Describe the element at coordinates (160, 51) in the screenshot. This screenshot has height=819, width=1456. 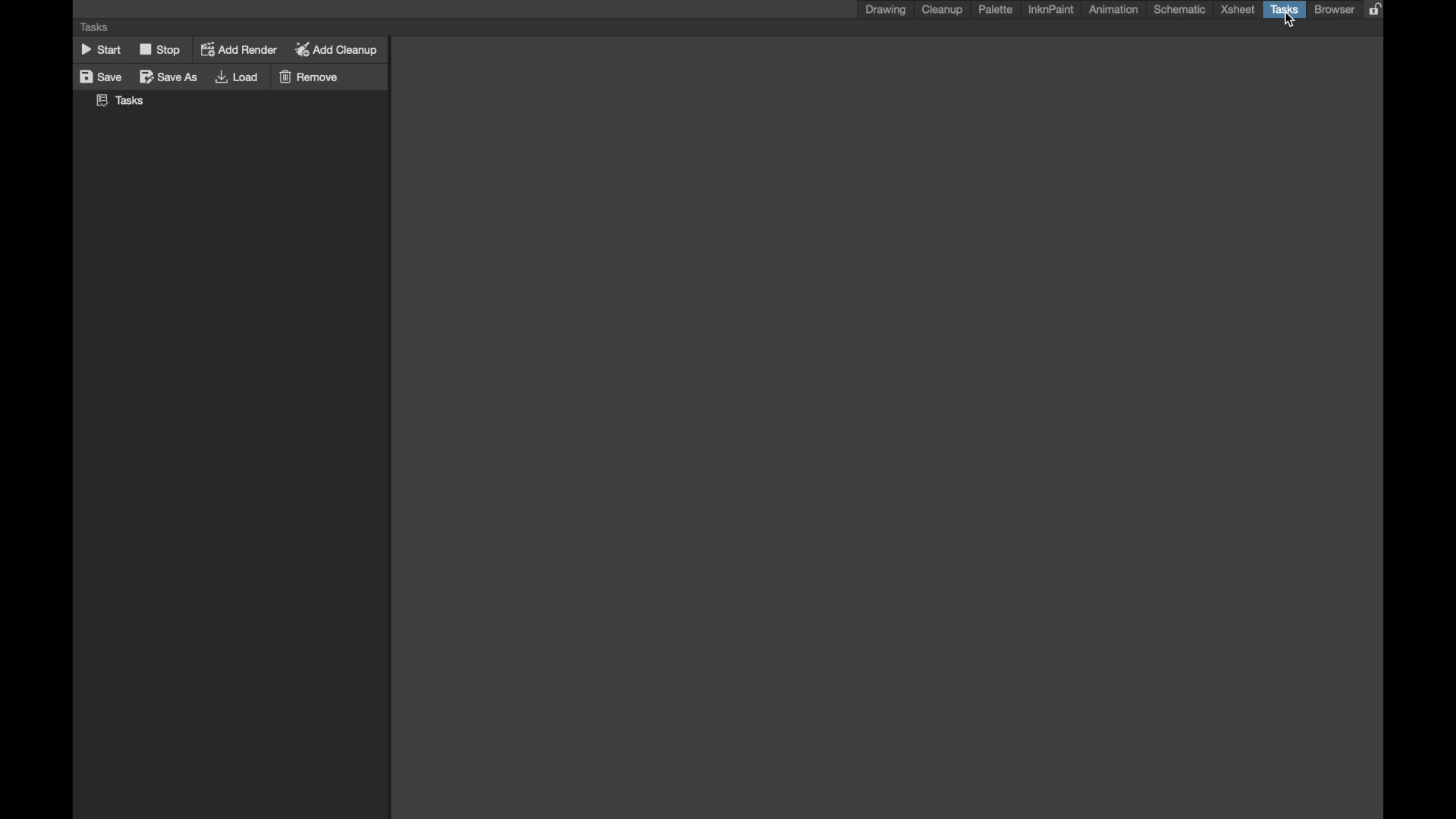
I see `stop` at that location.